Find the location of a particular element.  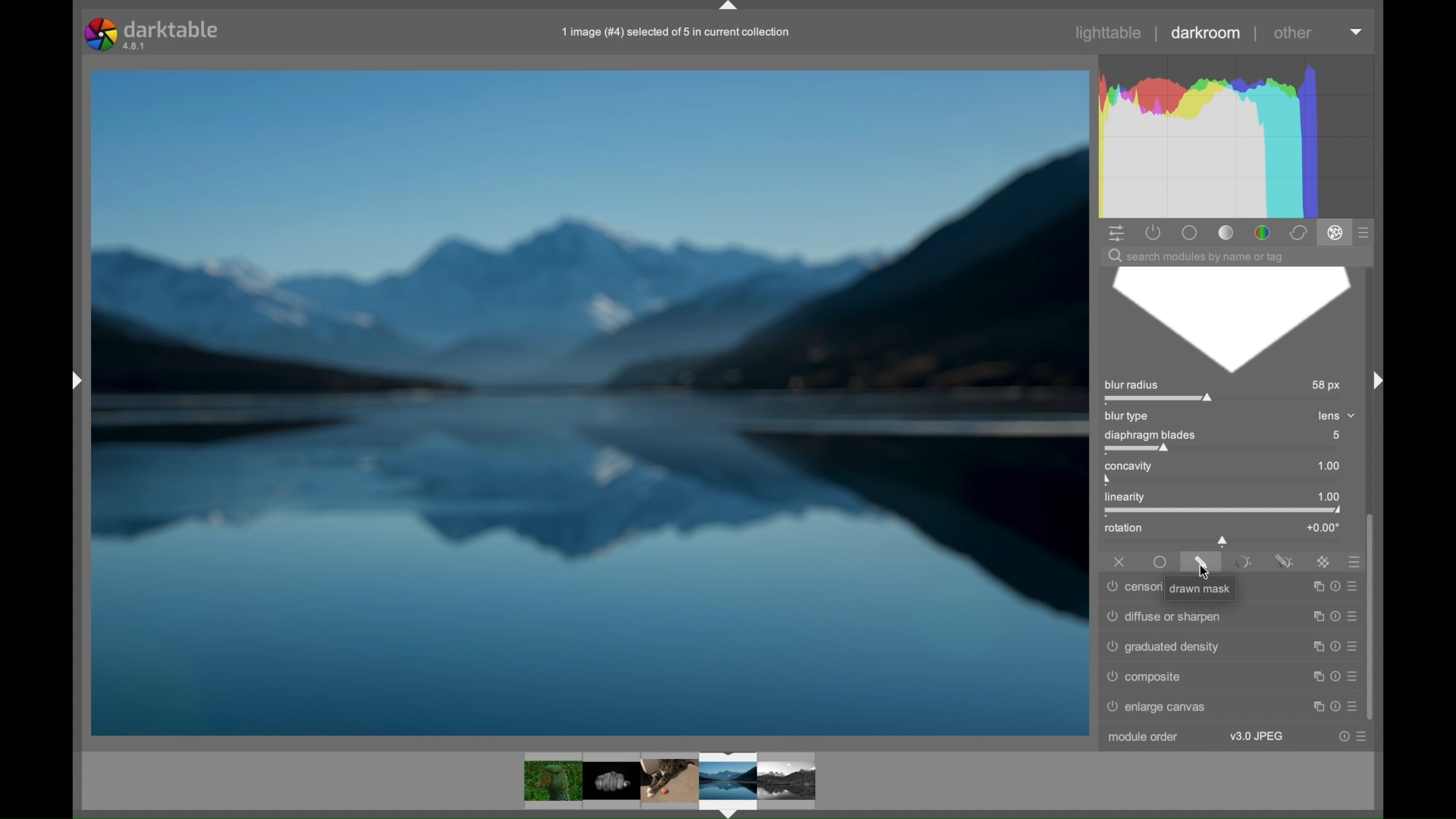

maximize is located at coordinates (1316, 585).